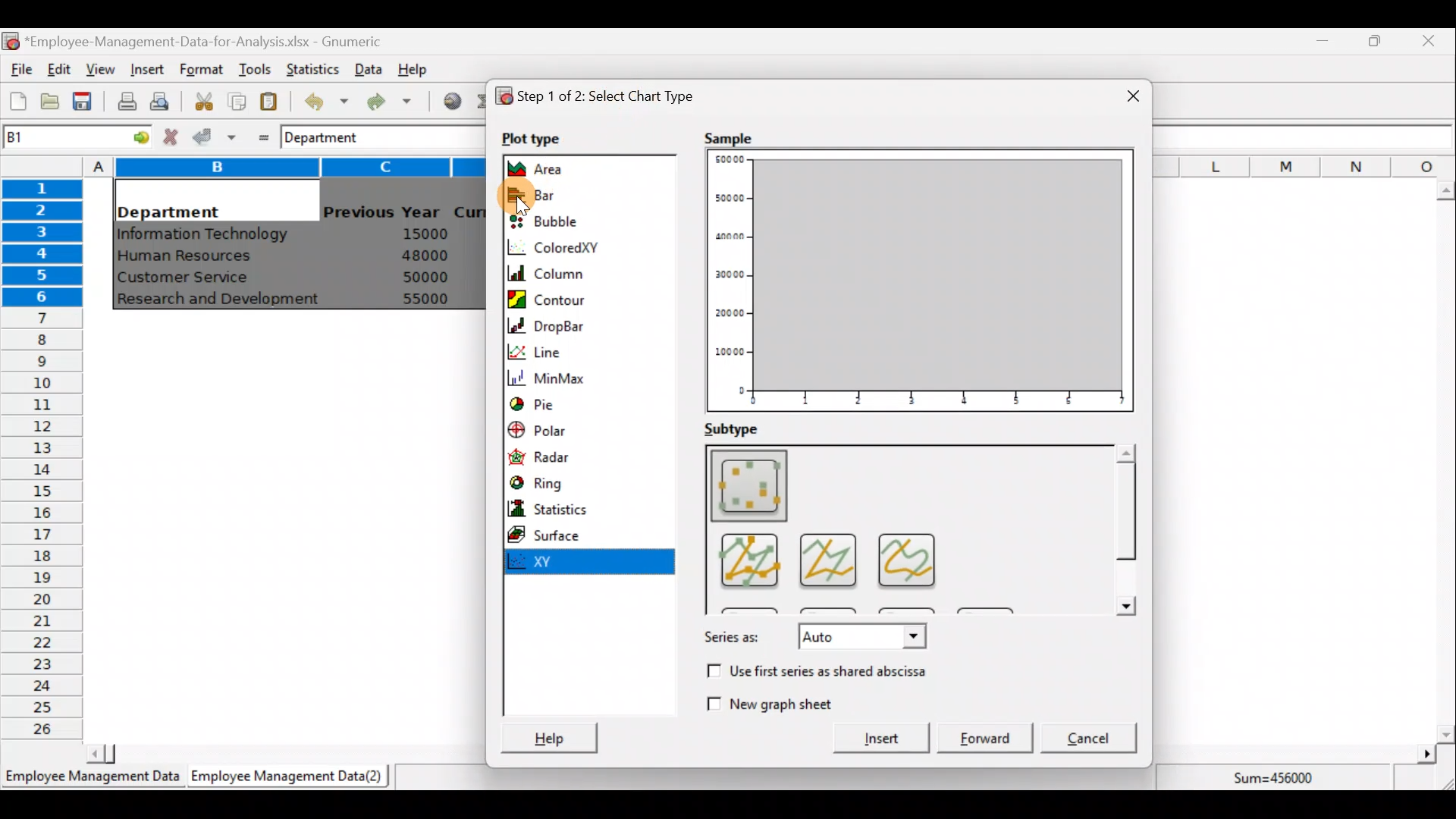 The height and width of the screenshot is (819, 1456). I want to click on Cancel, so click(1097, 739).